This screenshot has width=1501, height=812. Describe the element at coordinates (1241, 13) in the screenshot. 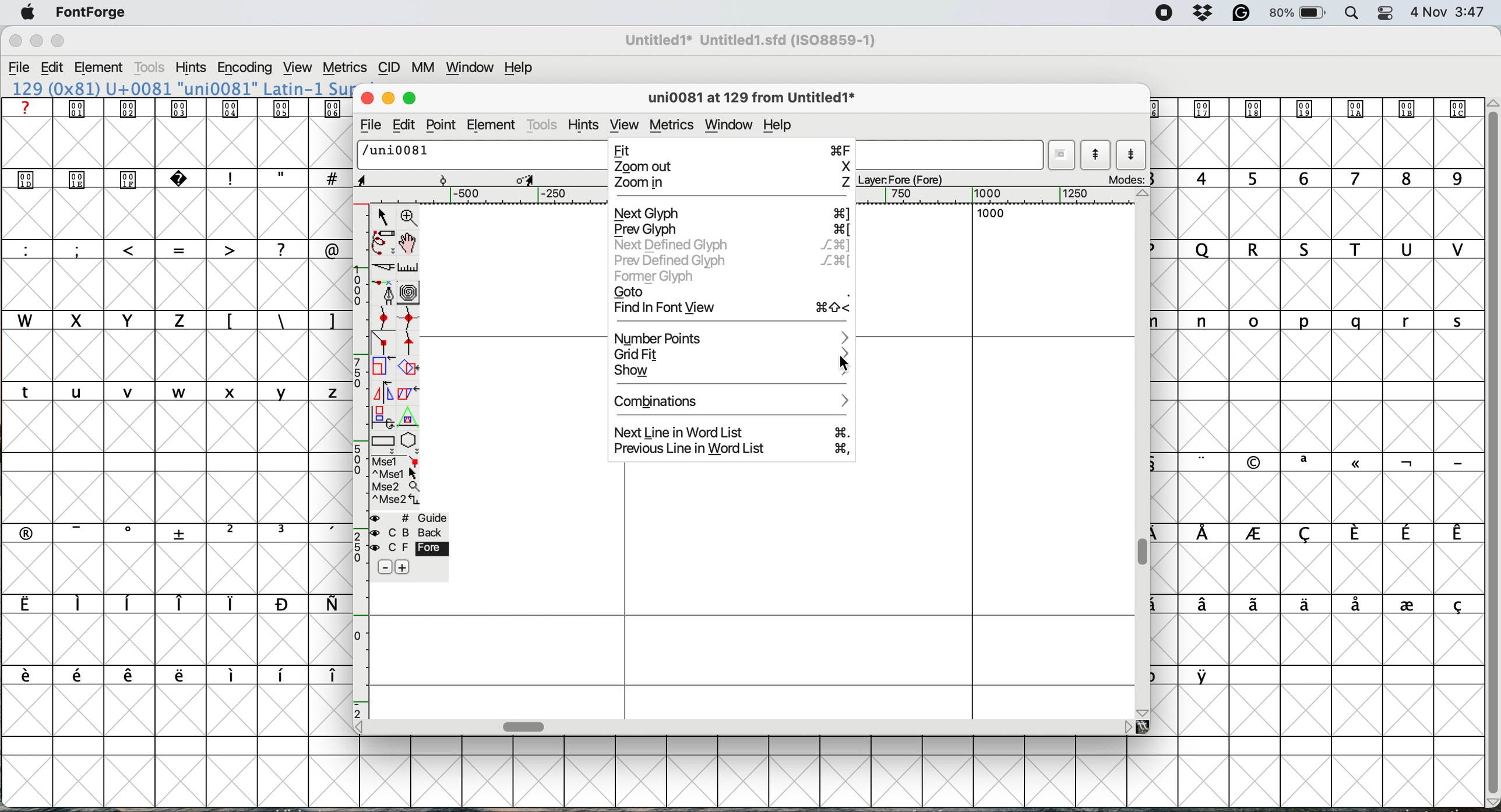

I see `Grammarly Icon` at that location.